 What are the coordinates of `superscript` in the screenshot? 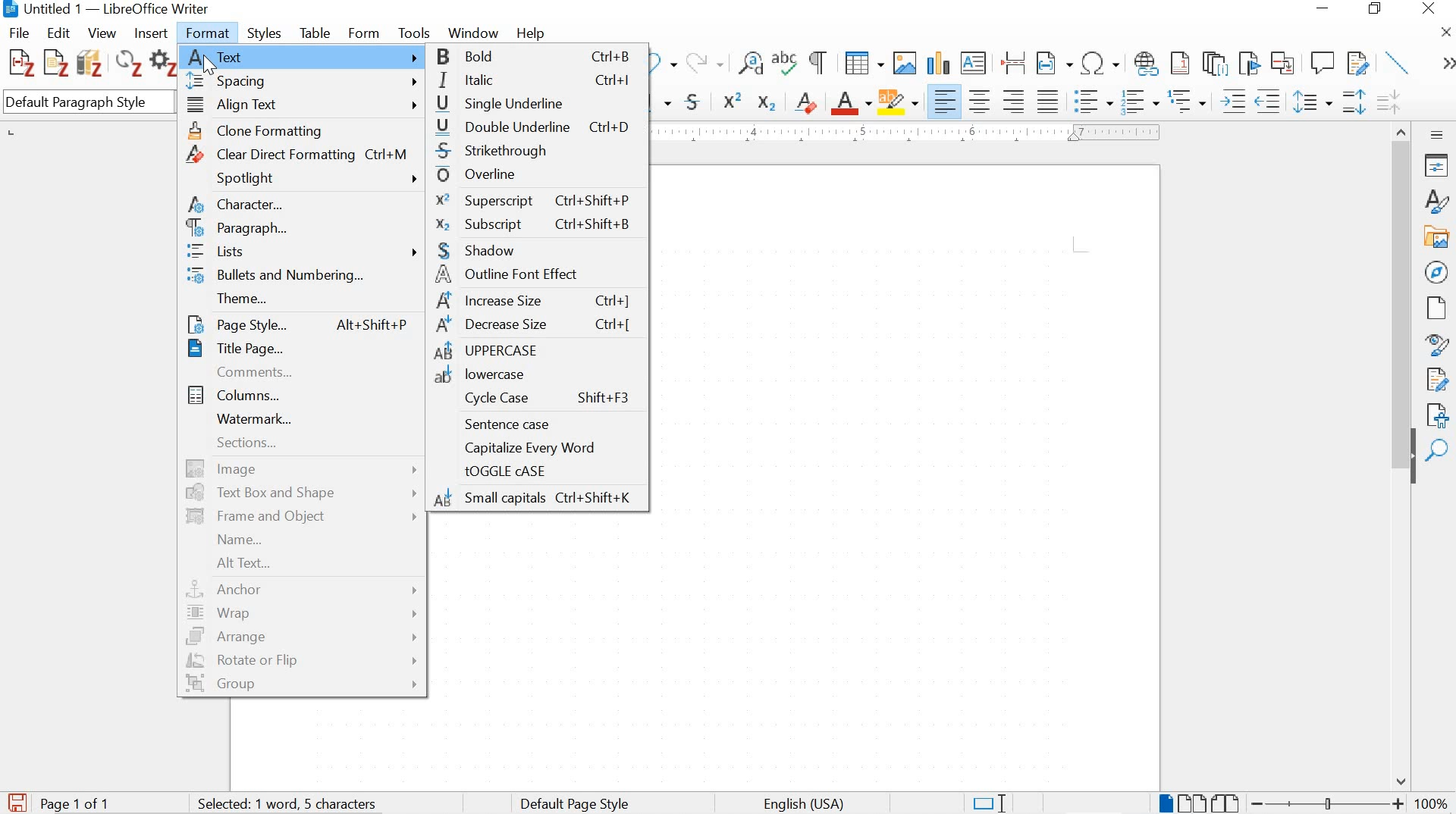 It's located at (734, 100).